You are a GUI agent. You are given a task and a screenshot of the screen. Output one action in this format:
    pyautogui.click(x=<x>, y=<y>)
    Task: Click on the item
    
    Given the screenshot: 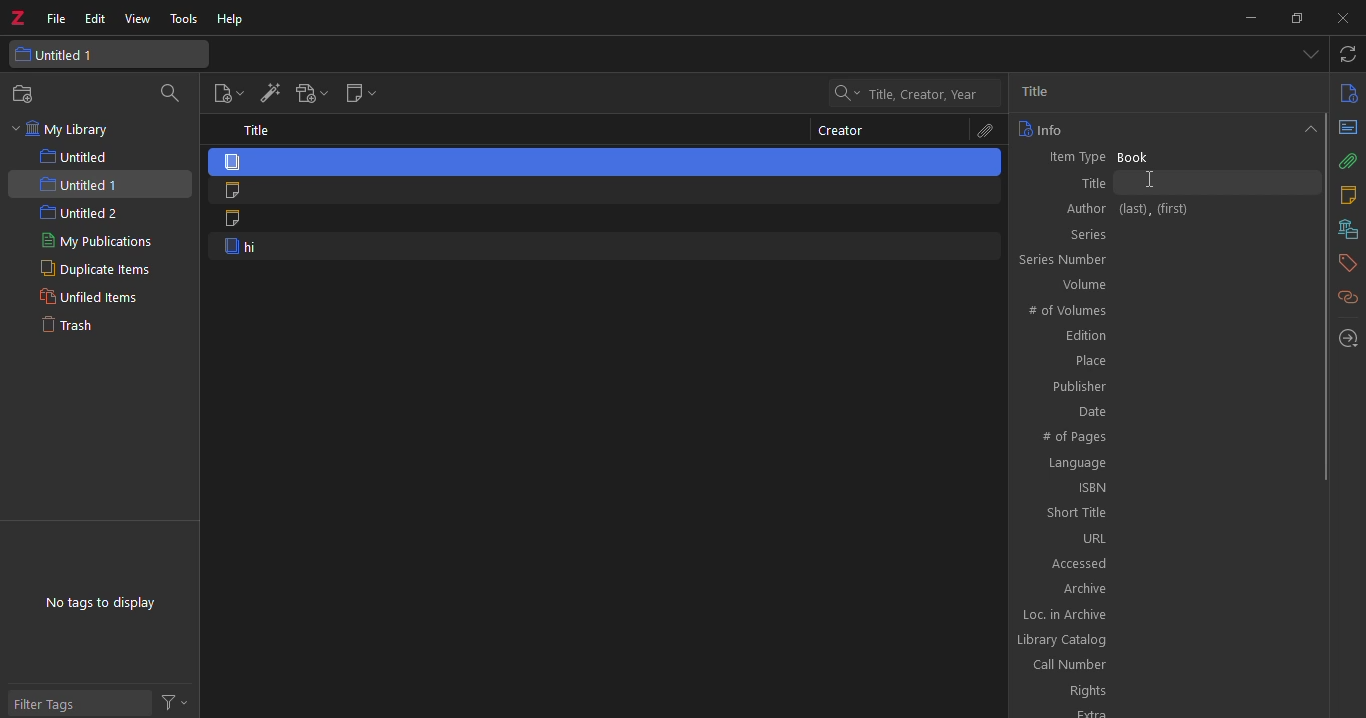 What is the action you would take?
    pyautogui.click(x=603, y=248)
    